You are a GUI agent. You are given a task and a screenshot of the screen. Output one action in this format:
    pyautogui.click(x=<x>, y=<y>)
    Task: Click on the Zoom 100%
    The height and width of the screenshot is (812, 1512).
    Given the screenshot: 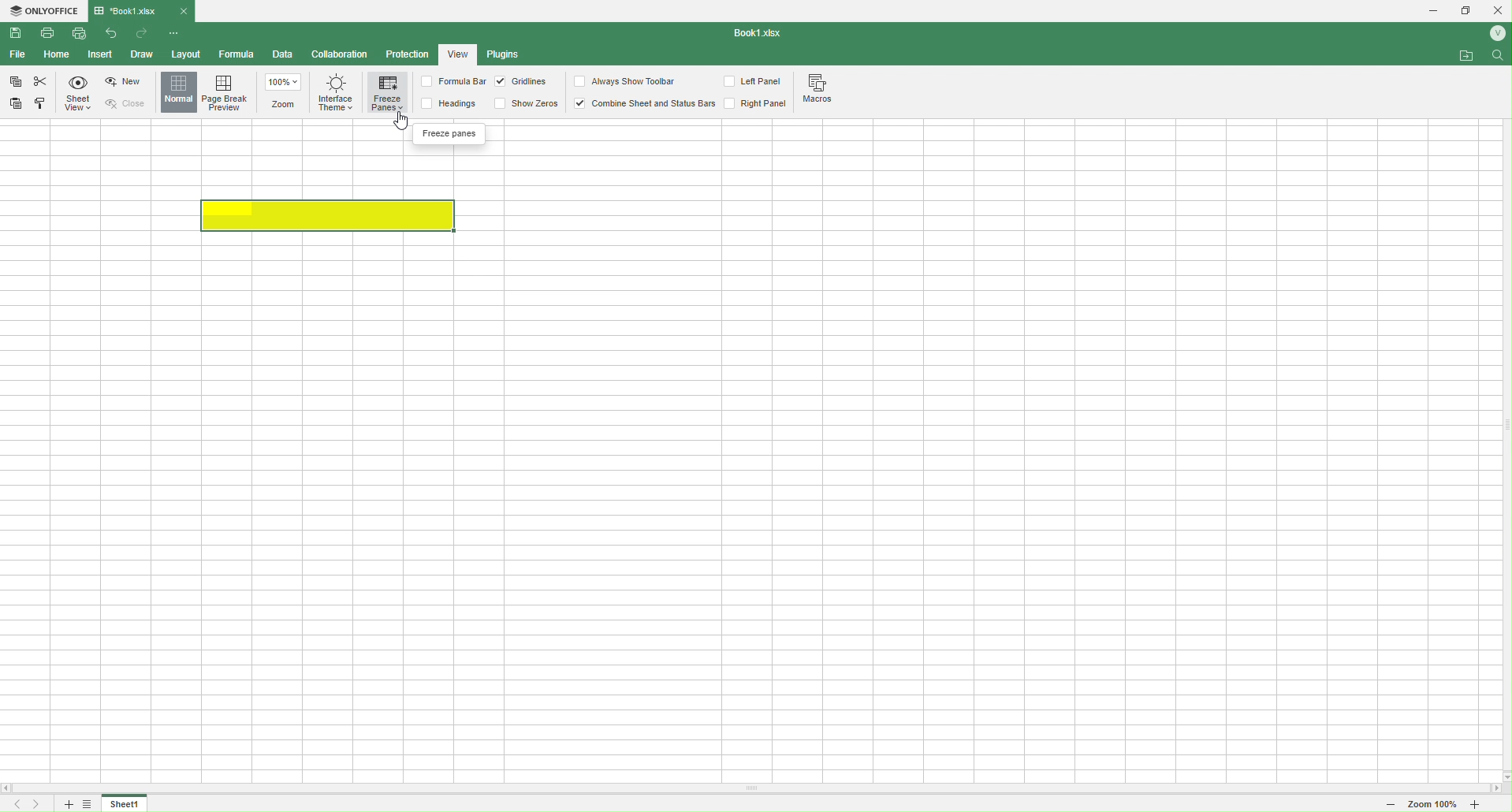 What is the action you would take?
    pyautogui.click(x=1432, y=806)
    